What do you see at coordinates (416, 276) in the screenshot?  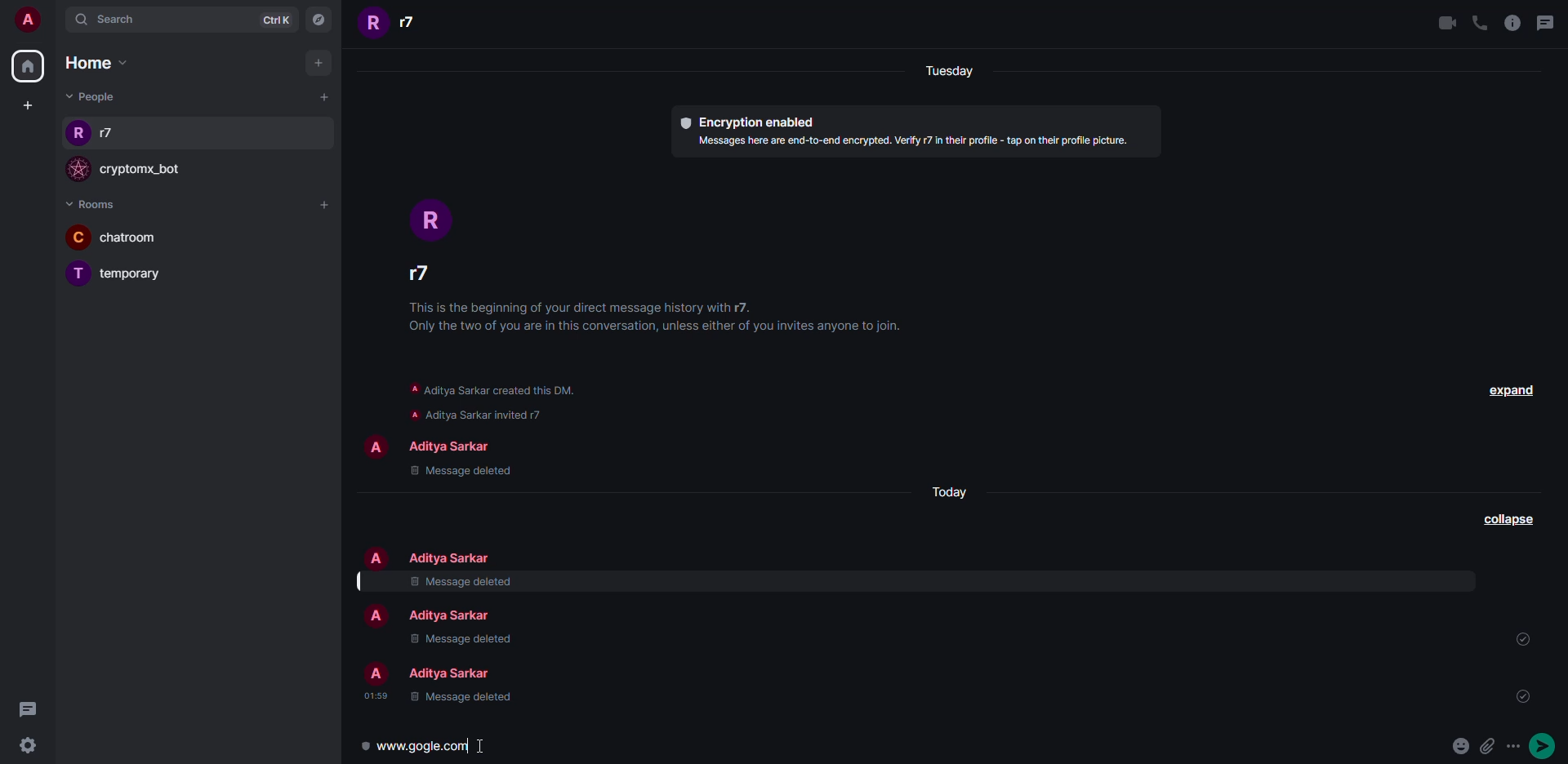 I see `people` at bounding box center [416, 276].